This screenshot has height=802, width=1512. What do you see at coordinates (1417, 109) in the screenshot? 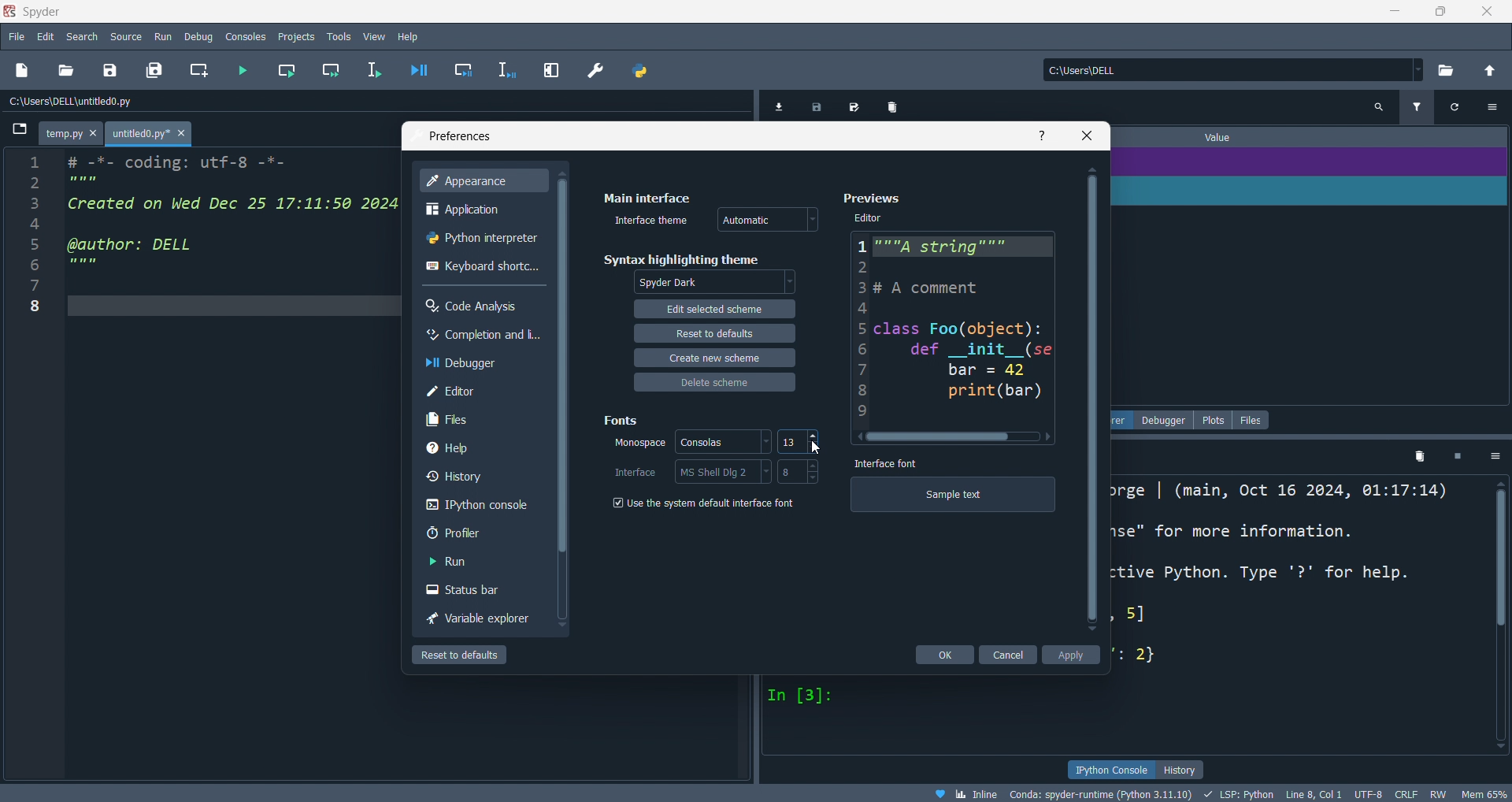
I see `filter variables` at bounding box center [1417, 109].